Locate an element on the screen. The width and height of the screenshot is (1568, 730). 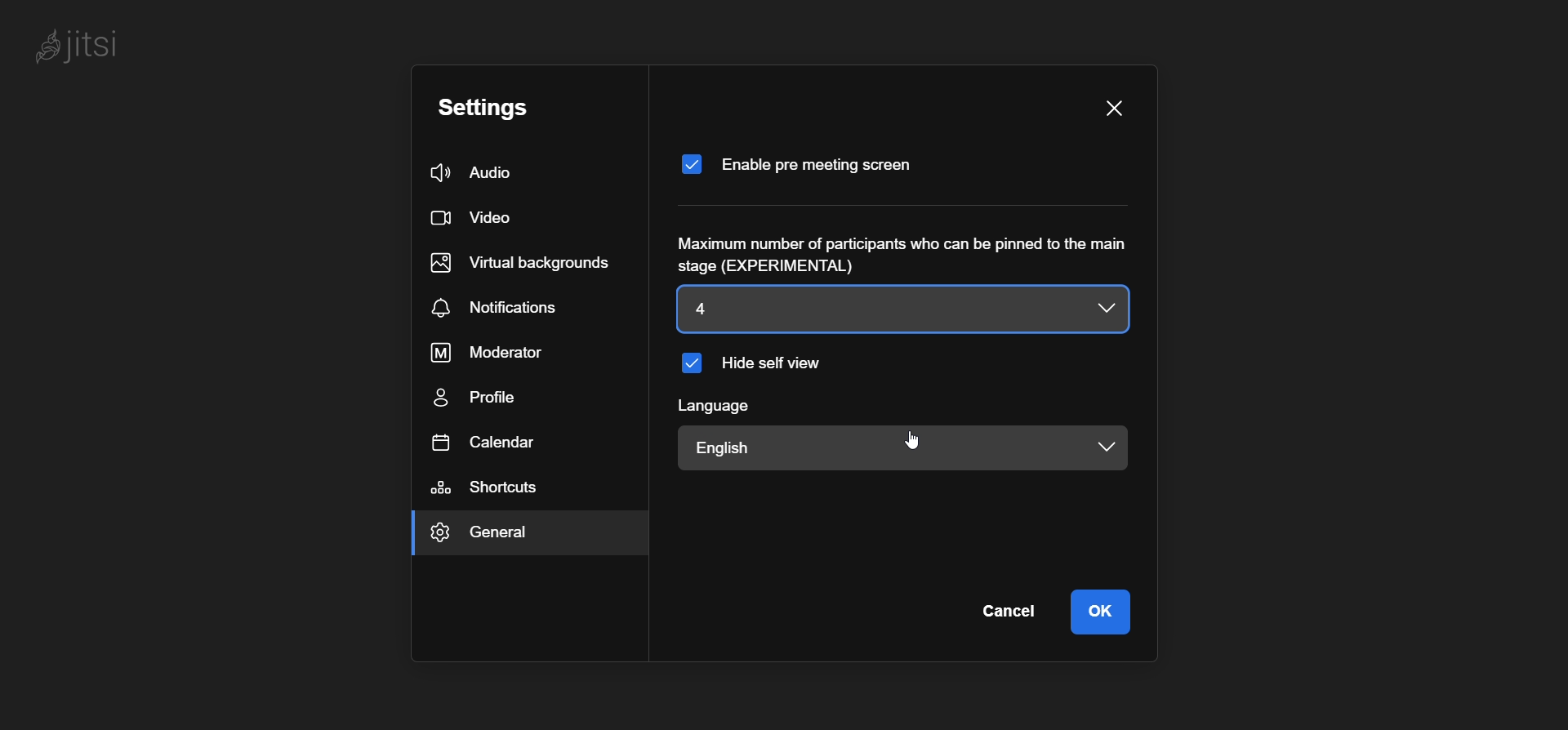
cancel is located at coordinates (1009, 611).